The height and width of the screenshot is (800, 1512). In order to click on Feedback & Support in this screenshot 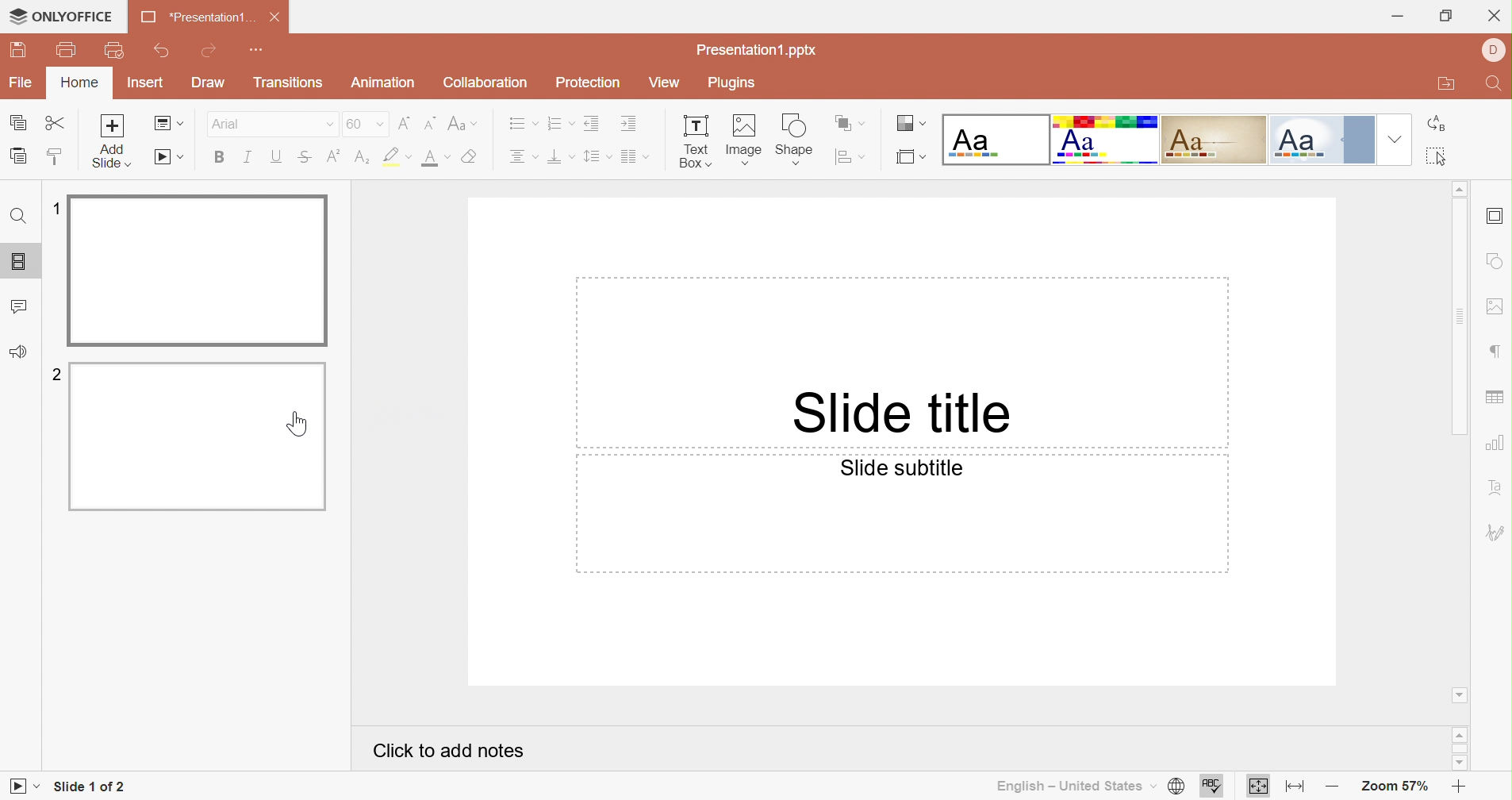, I will do `click(18, 352)`.